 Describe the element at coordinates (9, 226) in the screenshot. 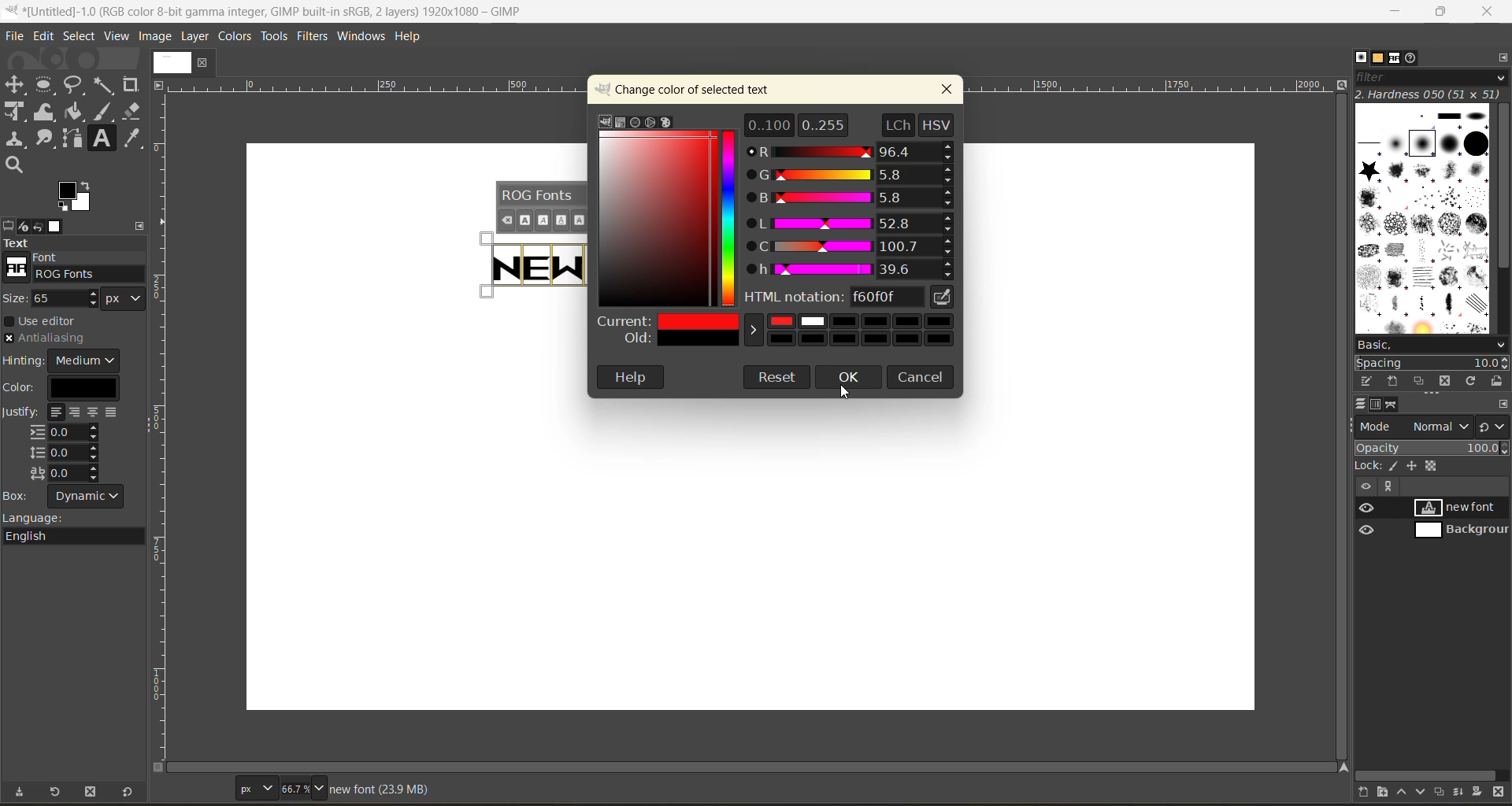

I see `tool options` at that location.